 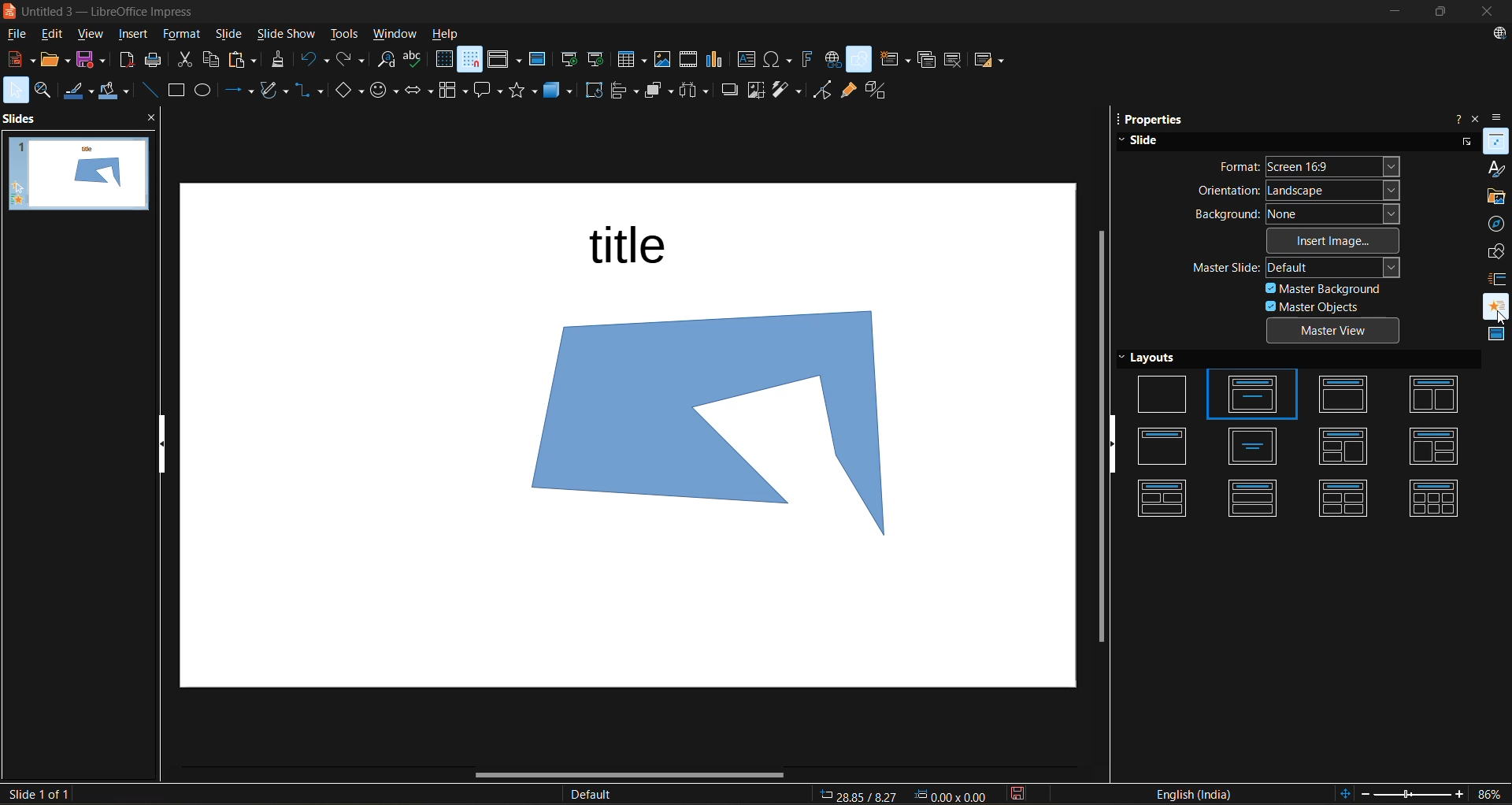 I want to click on slides, so click(x=87, y=173).